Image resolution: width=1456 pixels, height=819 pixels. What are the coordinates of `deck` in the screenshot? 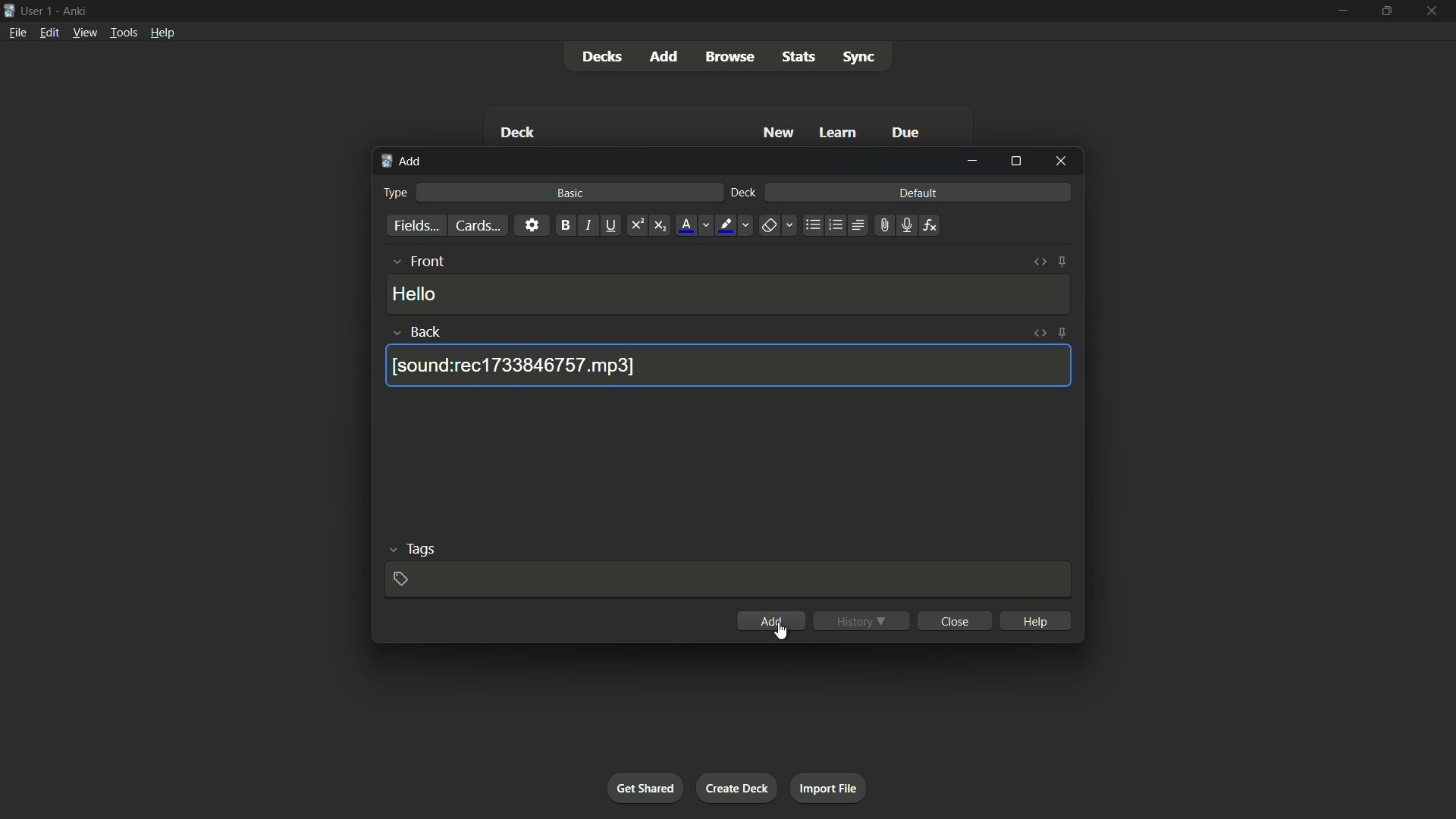 It's located at (743, 192).